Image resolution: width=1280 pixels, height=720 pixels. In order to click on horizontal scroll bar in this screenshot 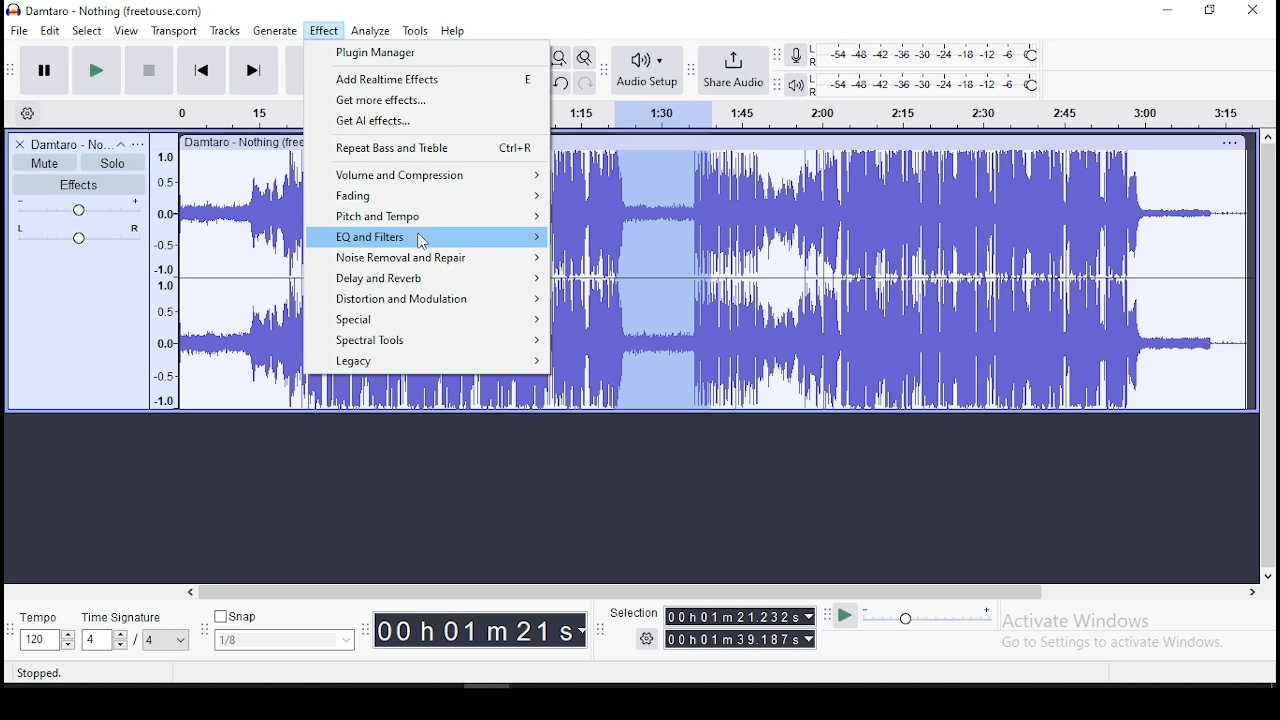, I will do `click(720, 592)`.